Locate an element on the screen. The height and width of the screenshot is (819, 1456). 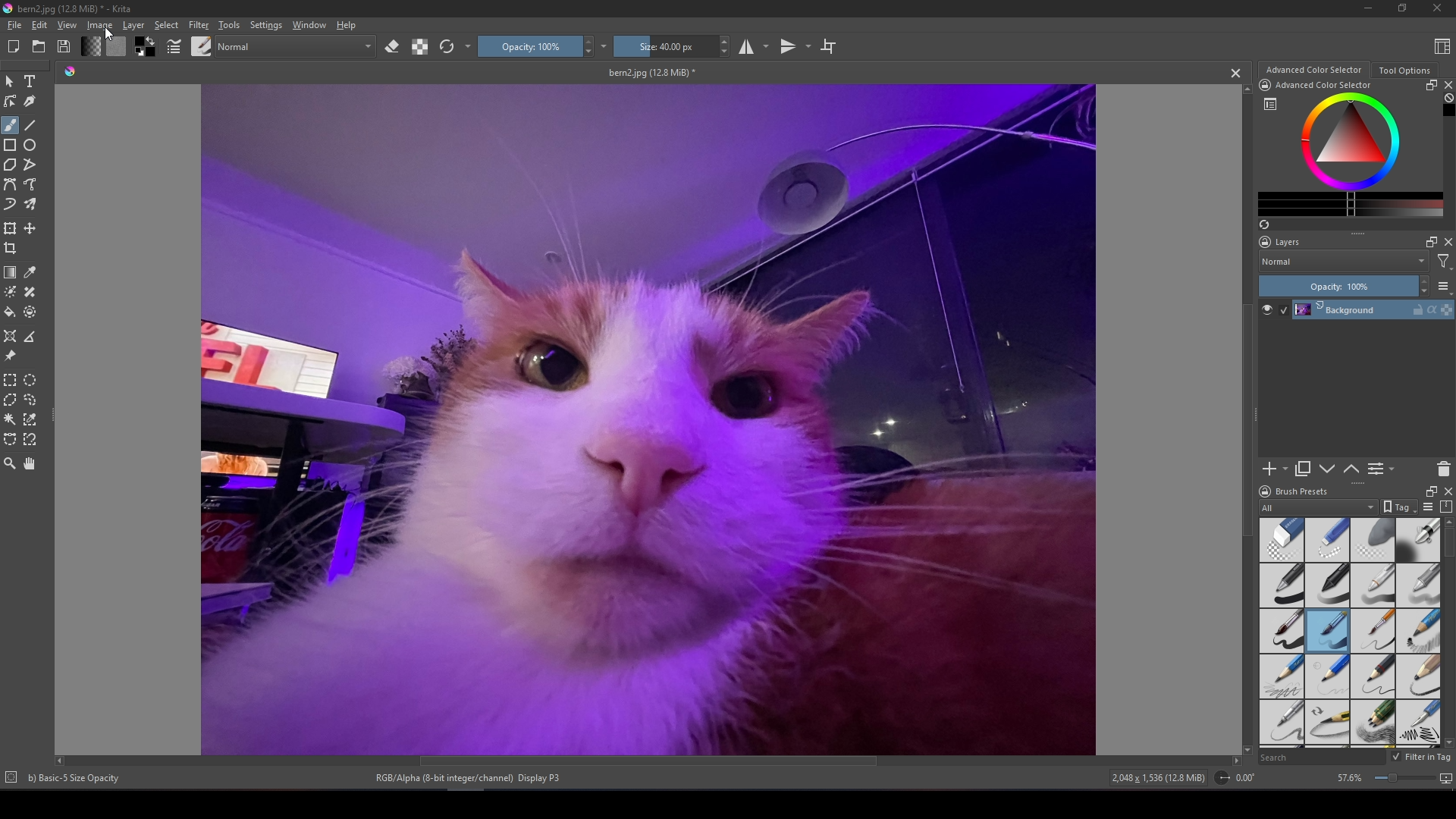
Blending mode is located at coordinates (1343, 262).